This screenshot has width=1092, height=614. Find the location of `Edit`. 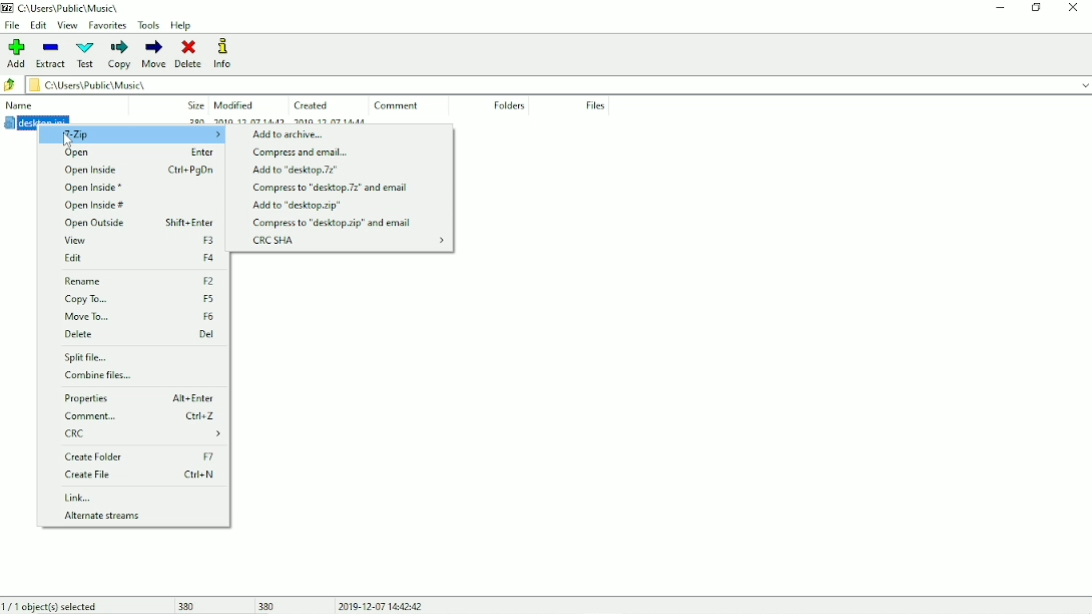

Edit is located at coordinates (39, 25).